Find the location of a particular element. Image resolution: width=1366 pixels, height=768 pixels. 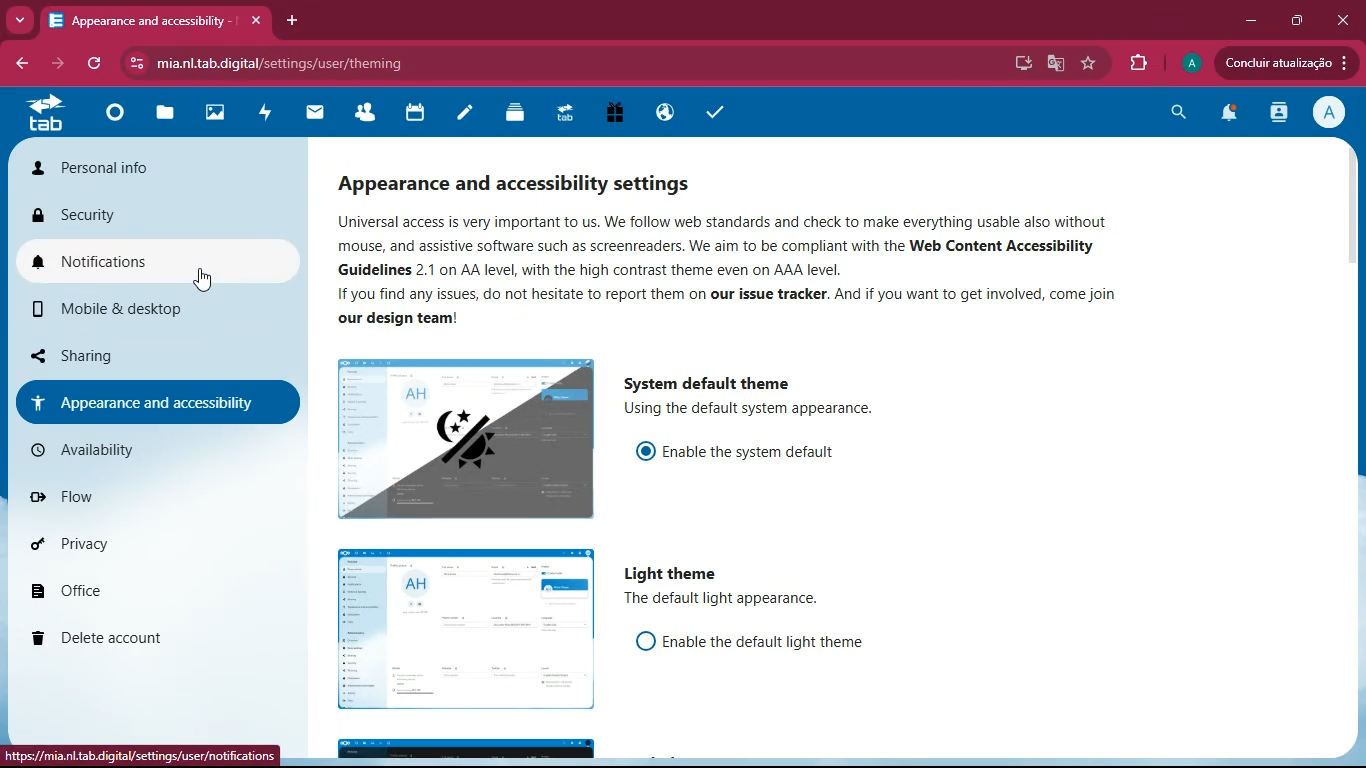

google translate is located at coordinates (1053, 65).